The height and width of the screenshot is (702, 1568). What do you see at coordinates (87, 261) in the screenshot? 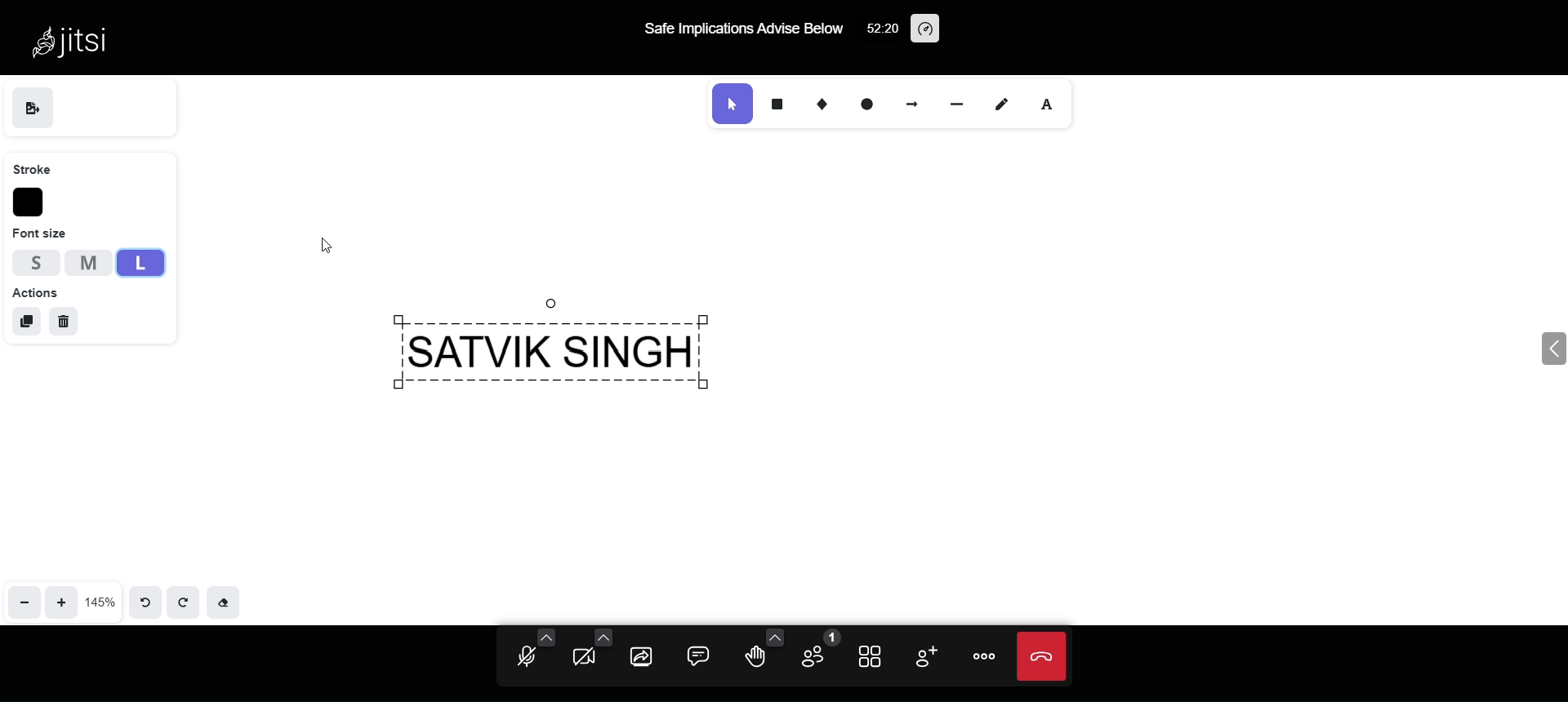
I see `Medium` at bounding box center [87, 261].